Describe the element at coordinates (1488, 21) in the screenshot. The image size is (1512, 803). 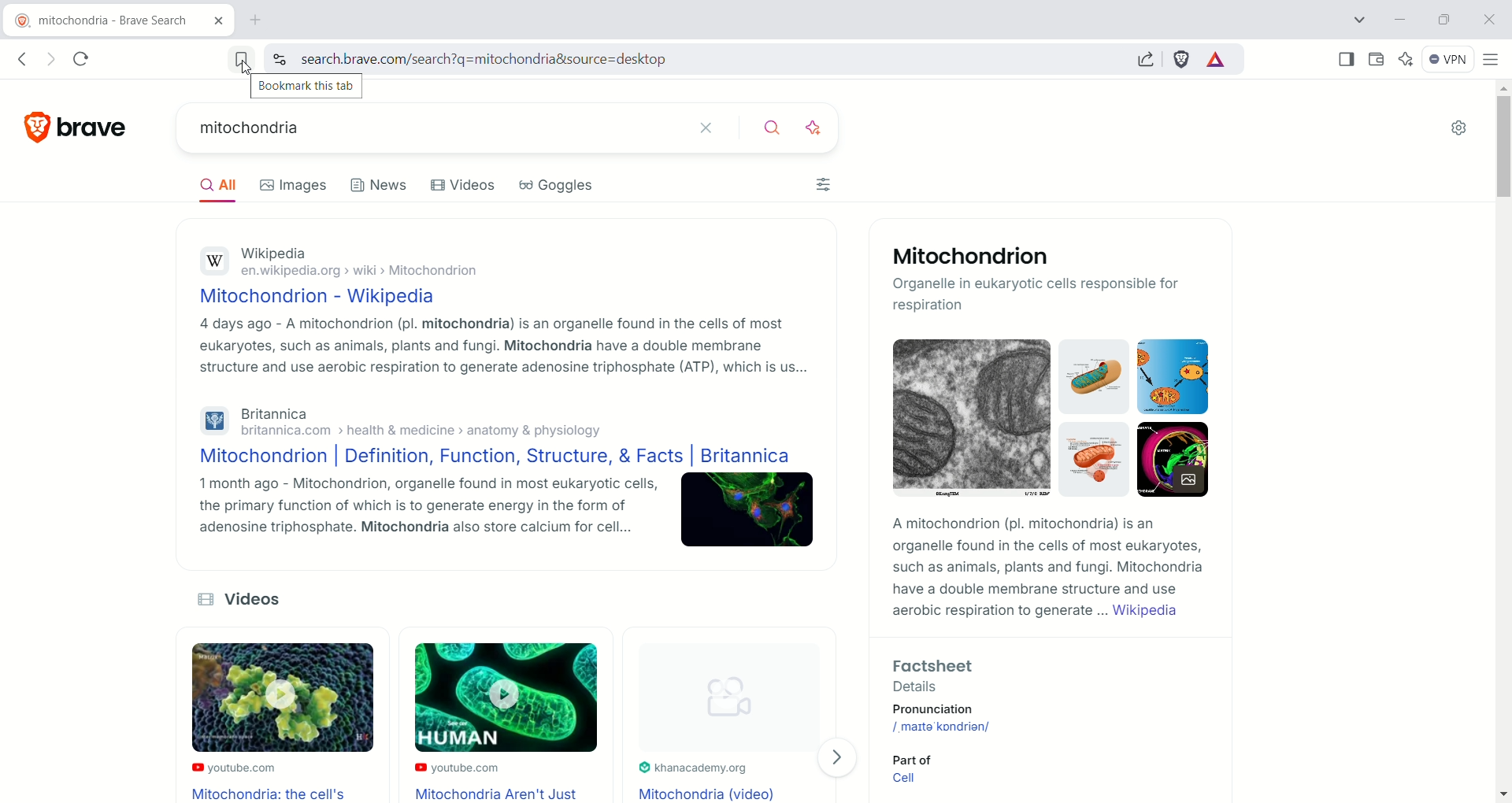
I see `close` at that location.